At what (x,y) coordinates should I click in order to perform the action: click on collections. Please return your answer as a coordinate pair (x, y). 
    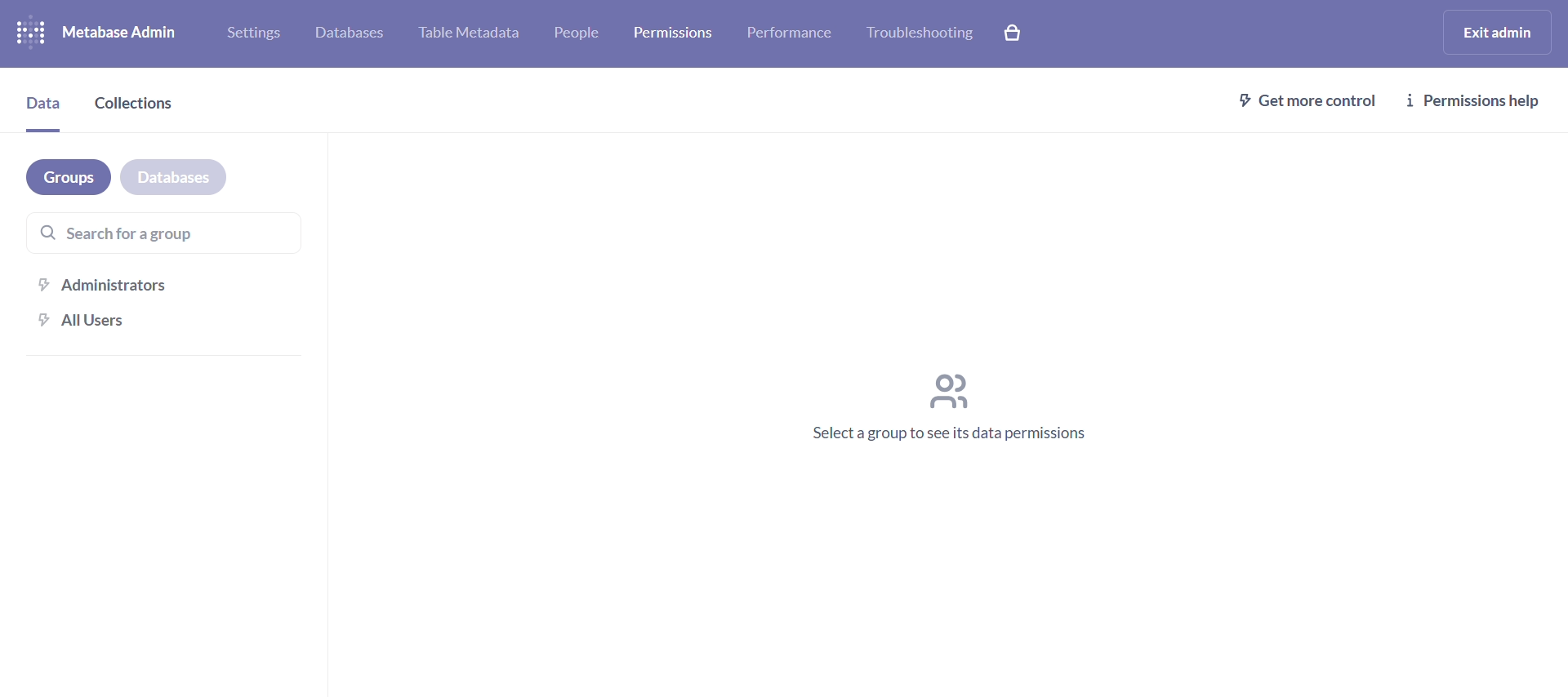
    Looking at the image, I should click on (134, 108).